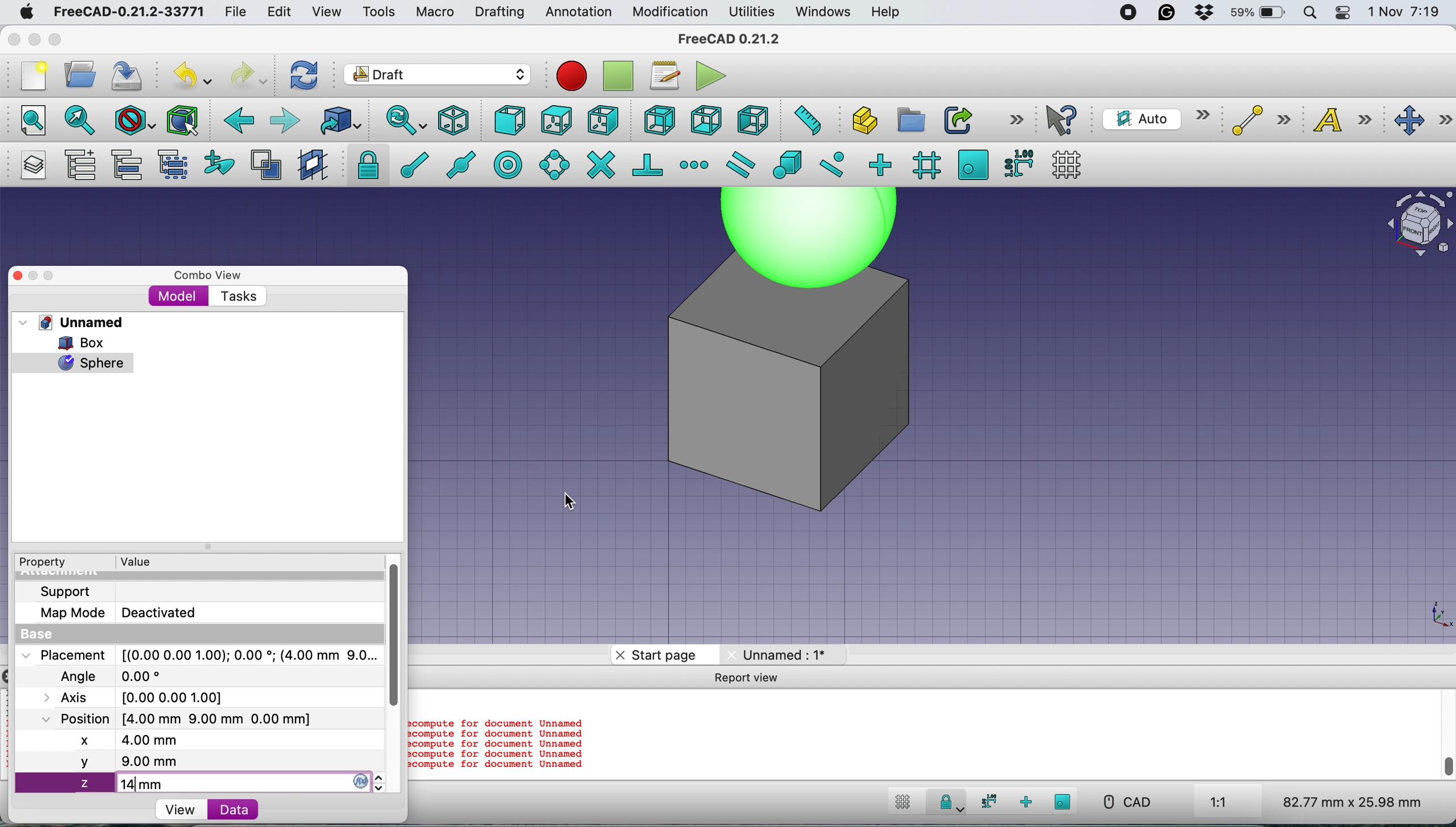 The width and height of the screenshot is (1456, 827). Describe the element at coordinates (1254, 14) in the screenshot. I see `battery` at that location.